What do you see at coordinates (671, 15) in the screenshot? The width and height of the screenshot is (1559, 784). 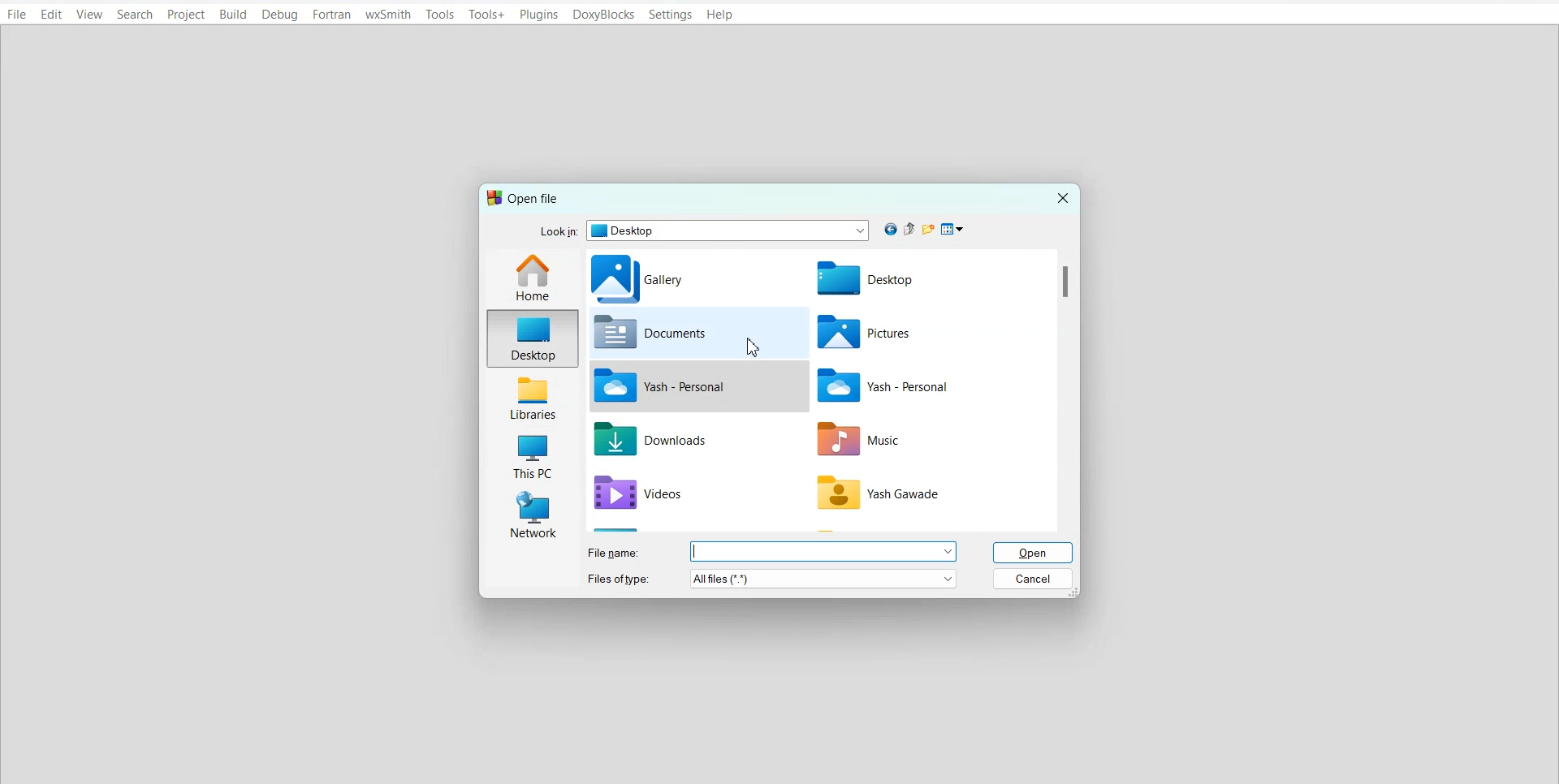 I see `Settings` at bounding box center [671, 15].